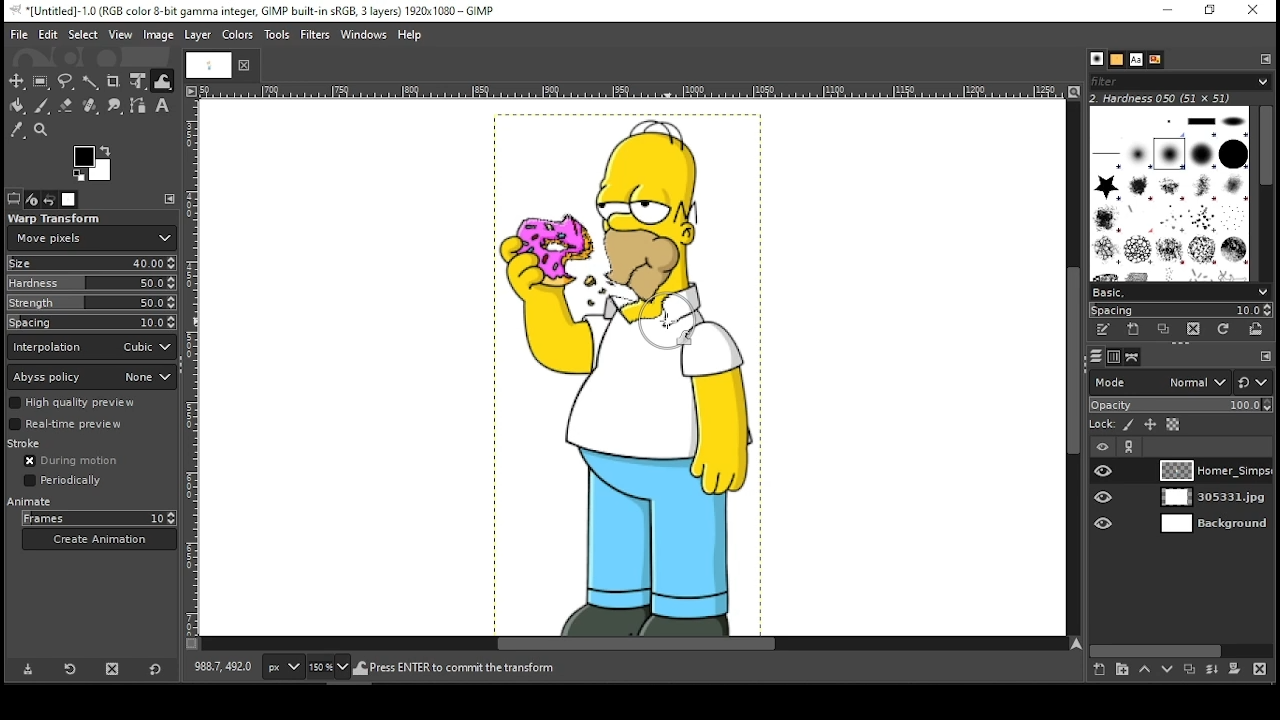 Image resolution: width=1280 pixels, height=720 pixels. Describe the element at coordinates (76, 460) in the screenshot. I see `during motion` at that location.